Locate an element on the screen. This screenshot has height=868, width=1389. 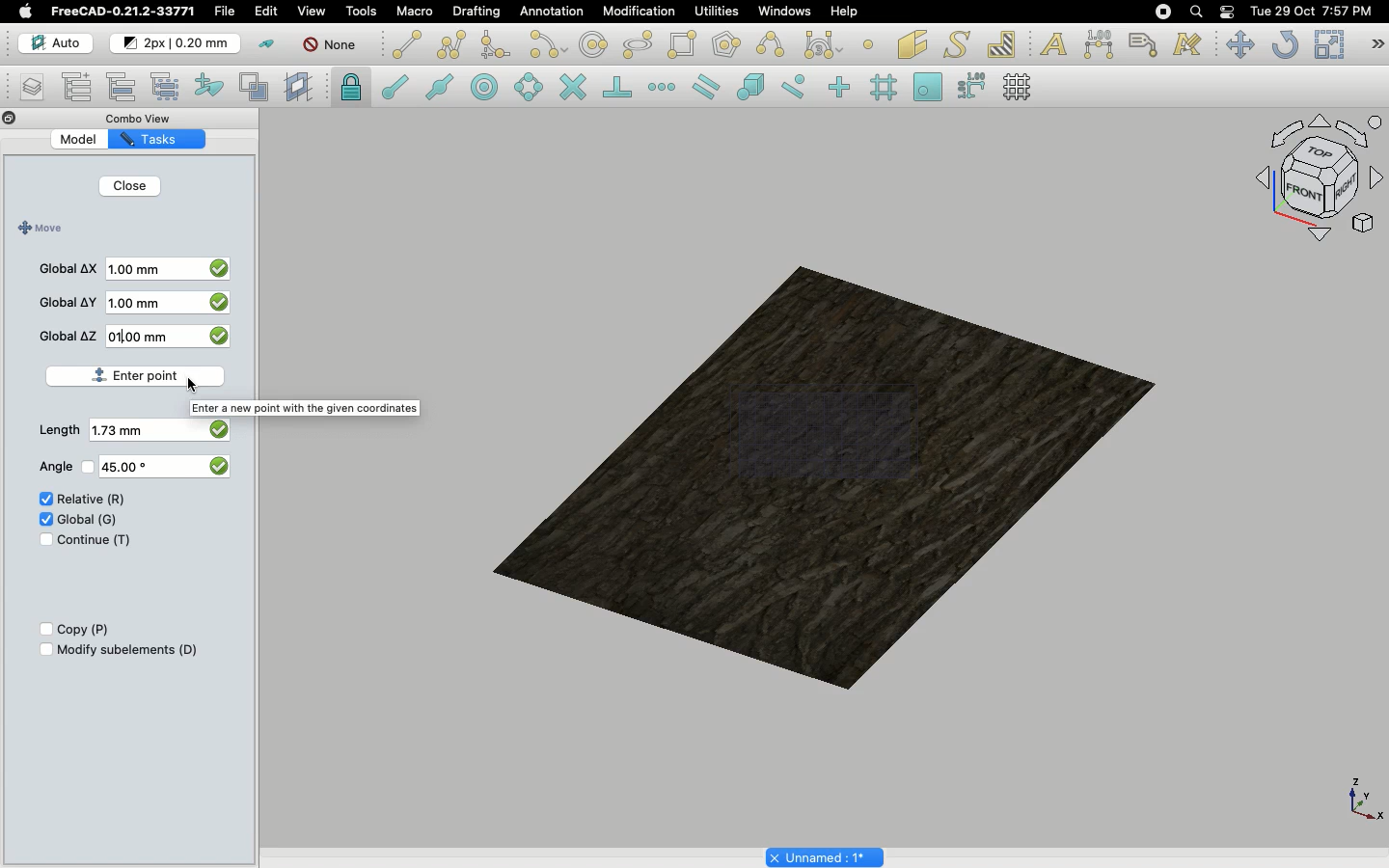
Text is located at coordinates (1053, 45).